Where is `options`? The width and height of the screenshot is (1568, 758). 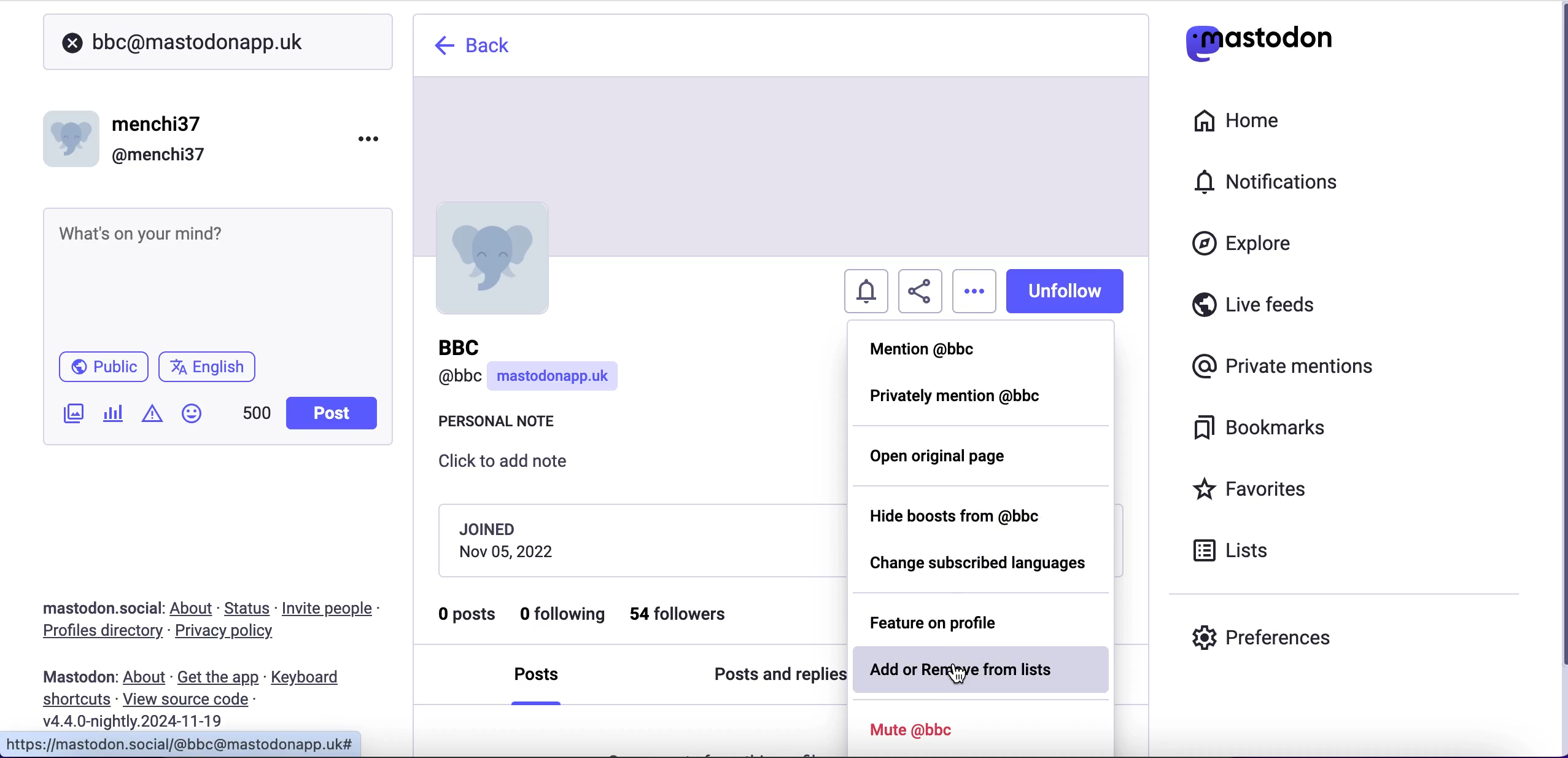 options is located at coordinates (973, 289).